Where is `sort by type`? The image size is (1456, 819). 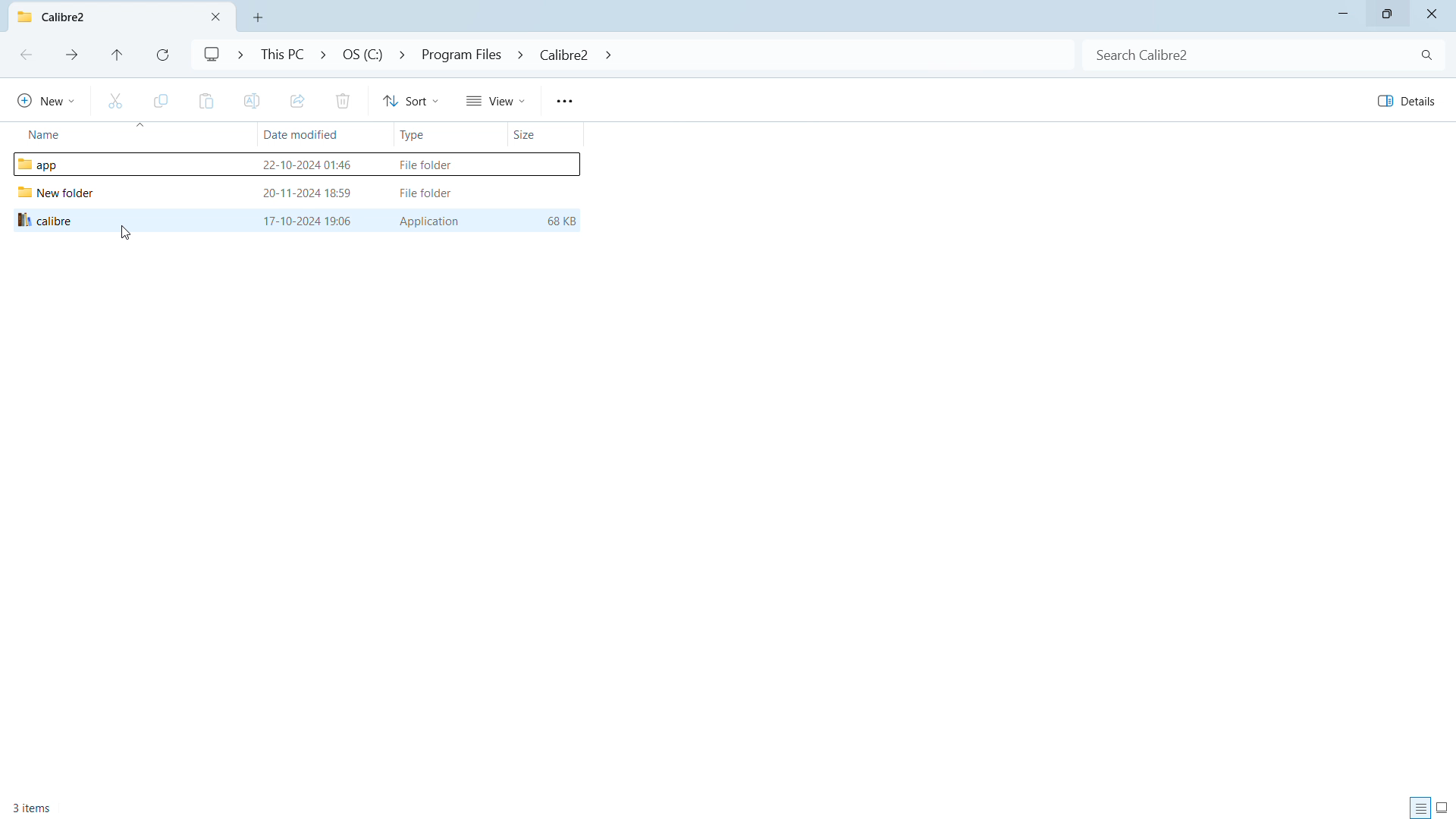
sort by type is located at coordinates (450, 134).